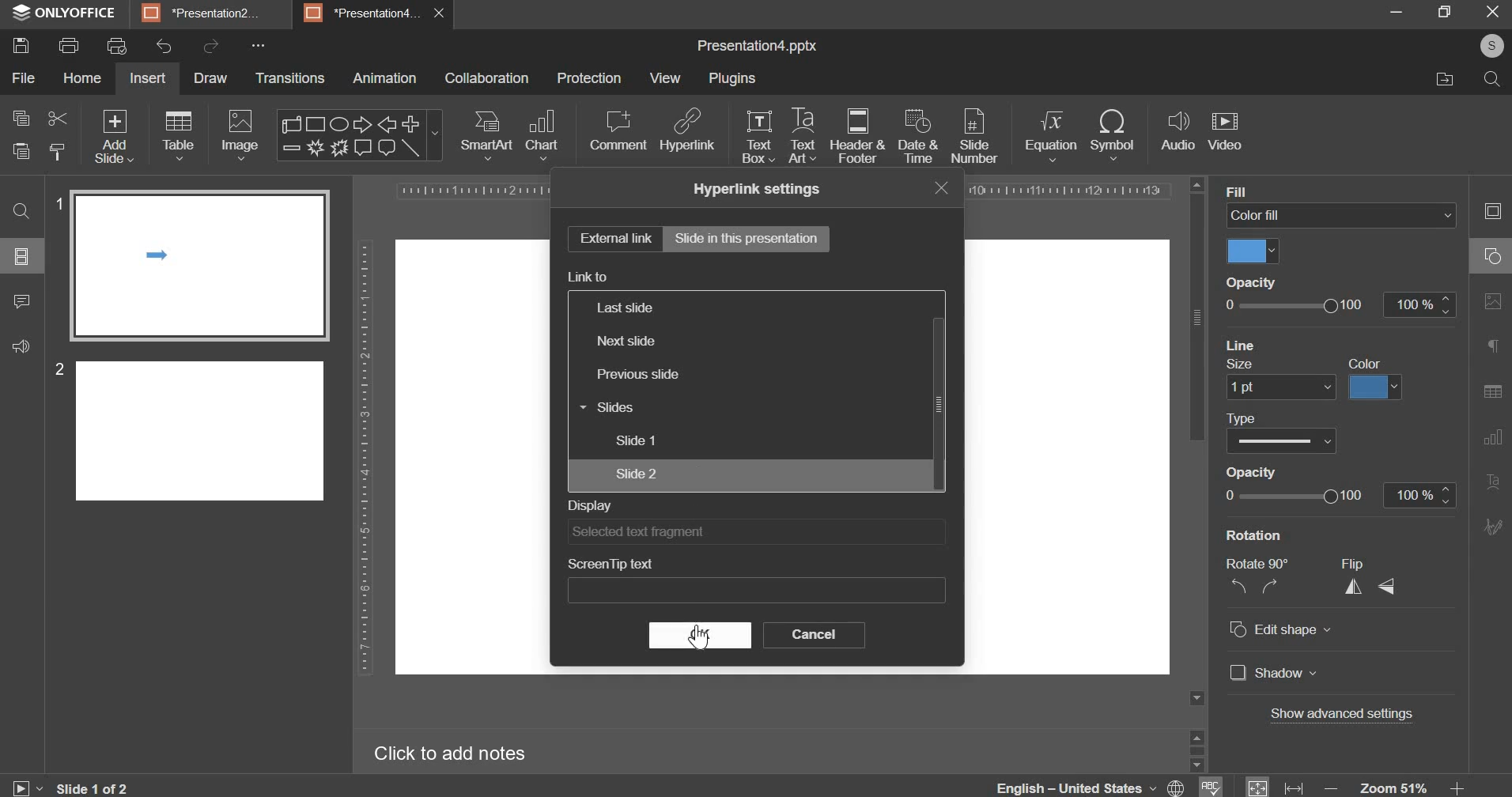  Describe the element at coordinates (628, 308) in the screenshot. I see `last slide` at that location.